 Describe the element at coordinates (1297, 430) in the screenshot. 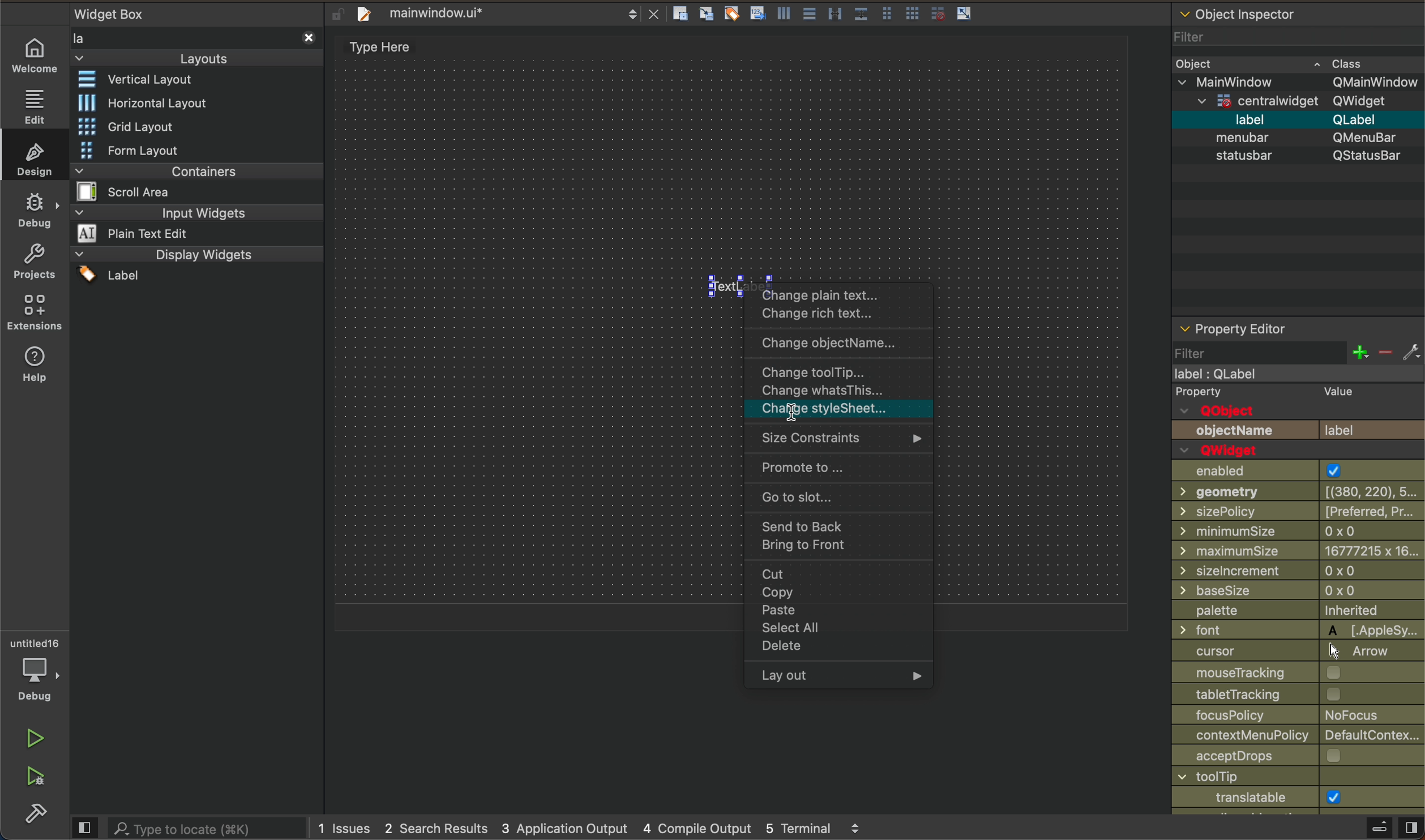

I see `object name` at that location.